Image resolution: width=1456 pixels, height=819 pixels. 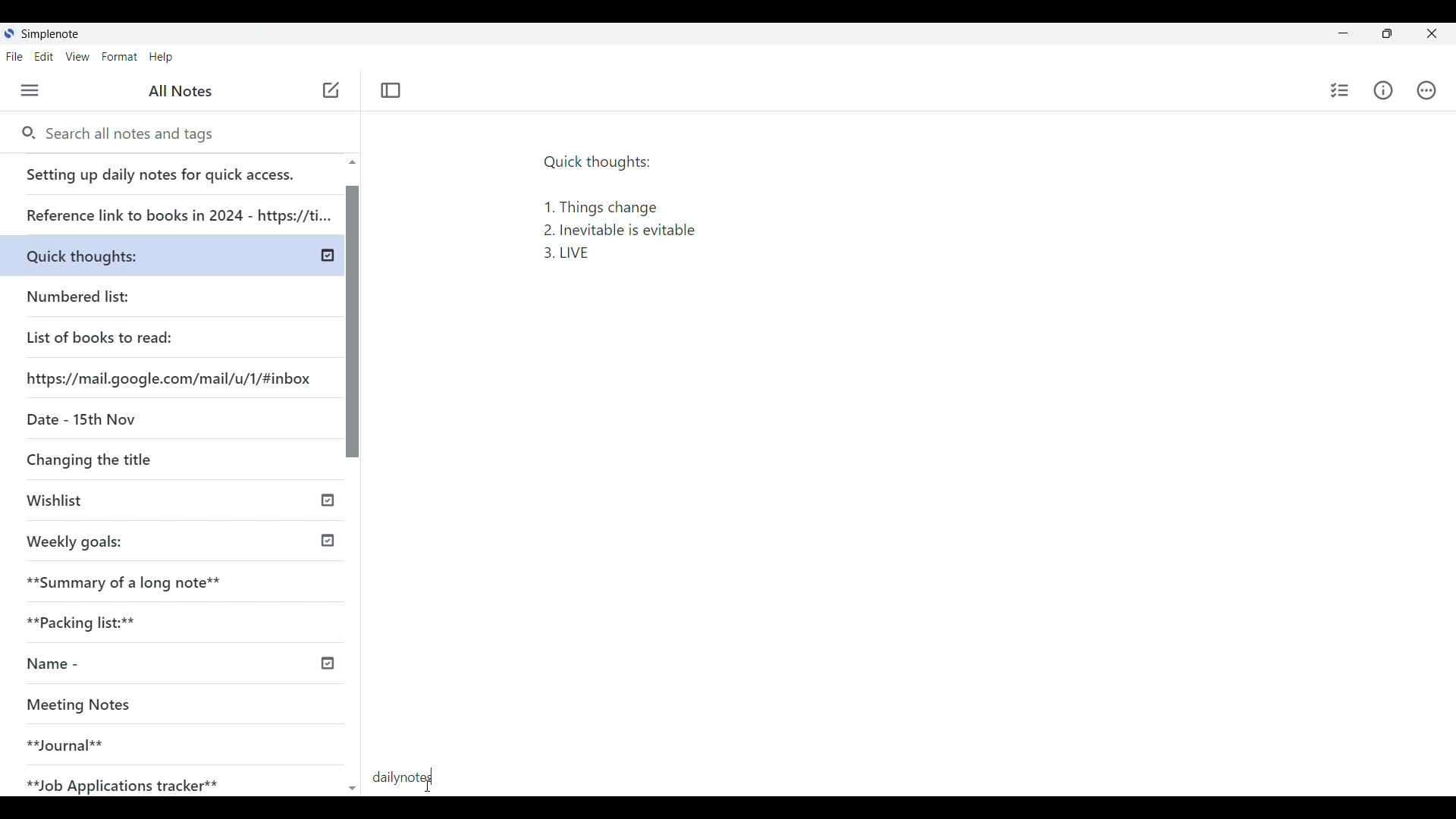 I want to click on Numbered list, so click(x=121, y=293).